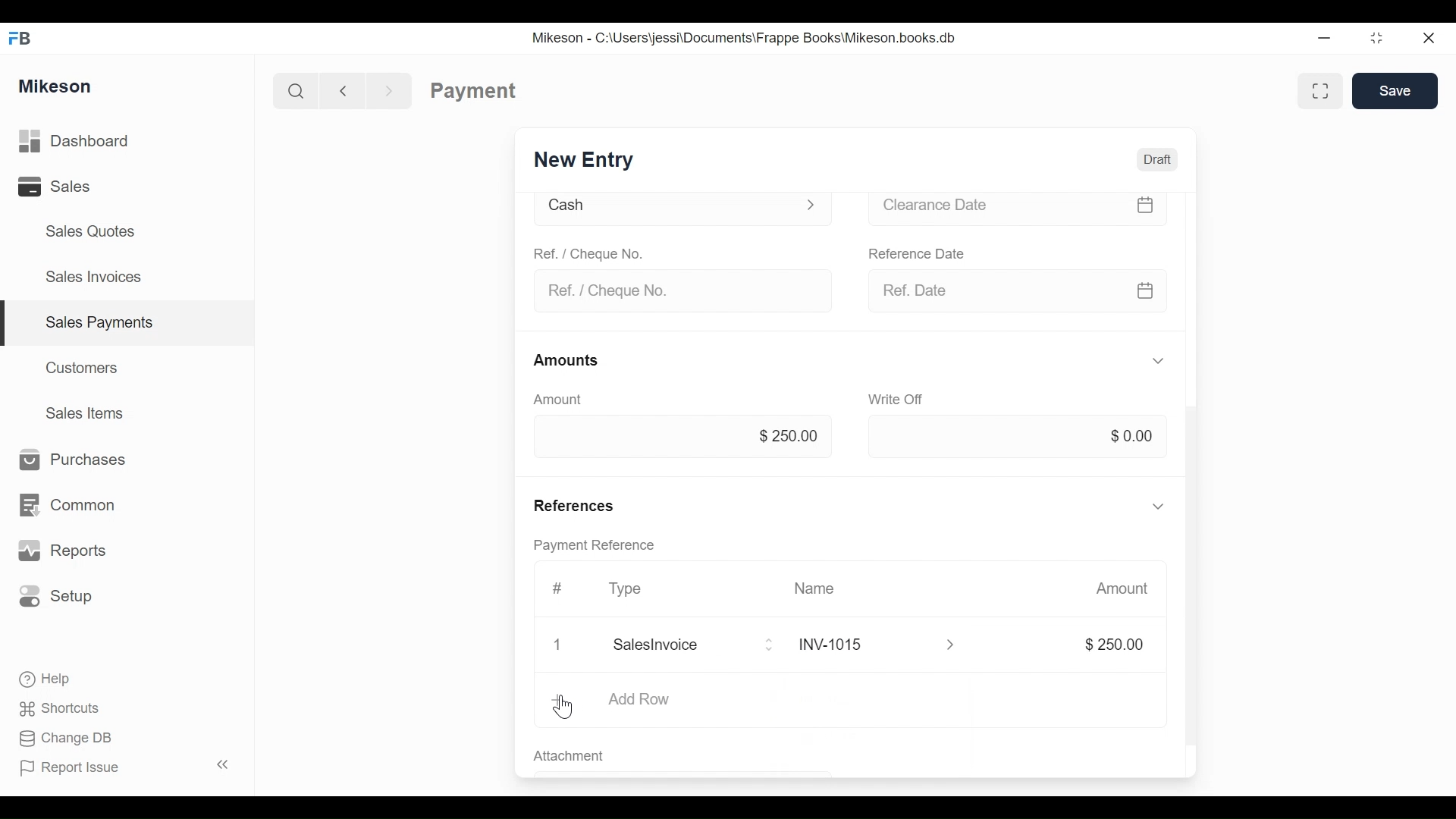 The image size is (1456, 819). I want to click on $0.00, so click(1136, 435).